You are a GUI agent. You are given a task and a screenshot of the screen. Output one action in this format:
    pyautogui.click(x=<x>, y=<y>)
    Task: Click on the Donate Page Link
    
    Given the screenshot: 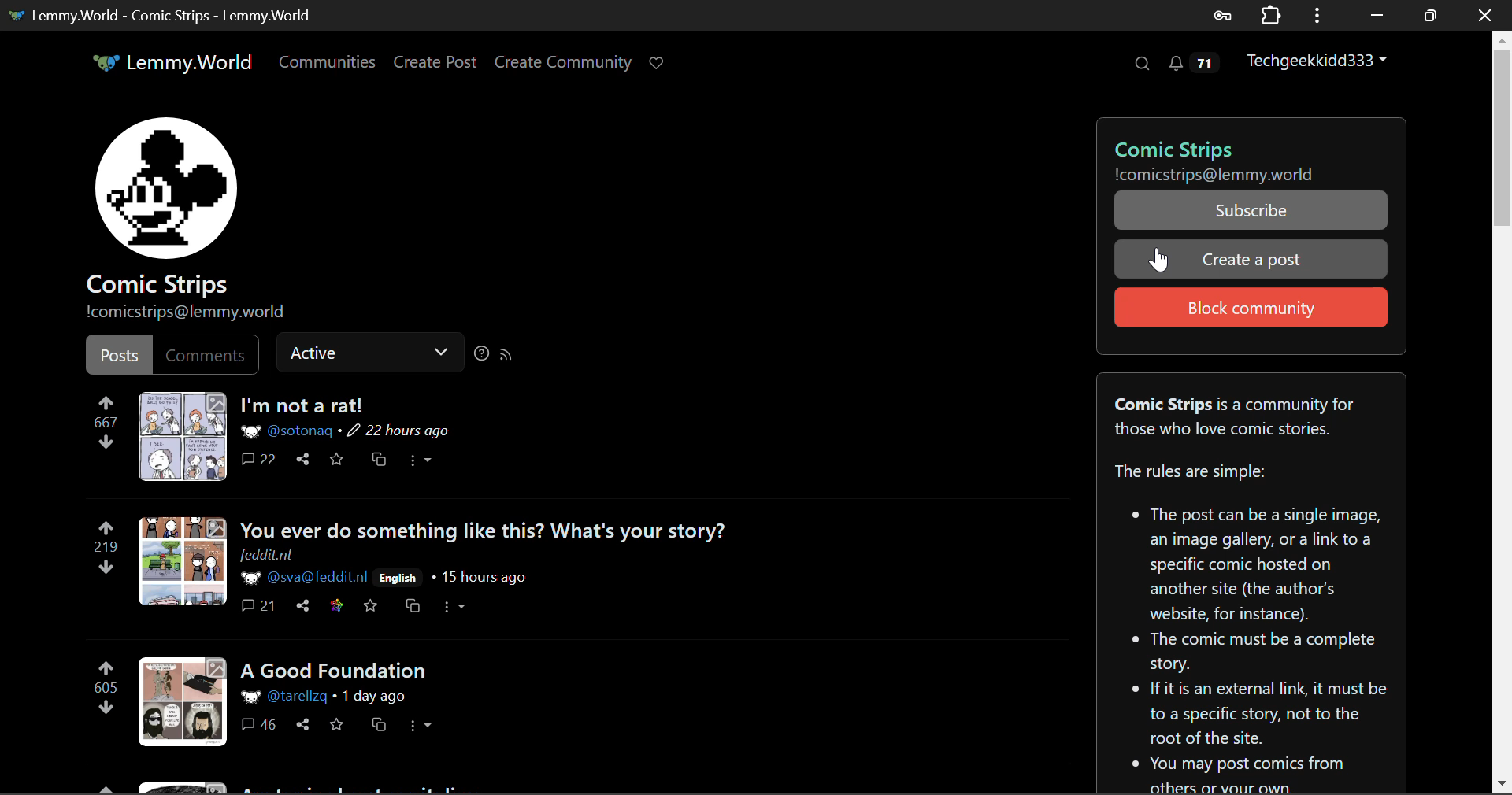 What is the action you would take?
    pyautogui.click(x=658, y=63)
    